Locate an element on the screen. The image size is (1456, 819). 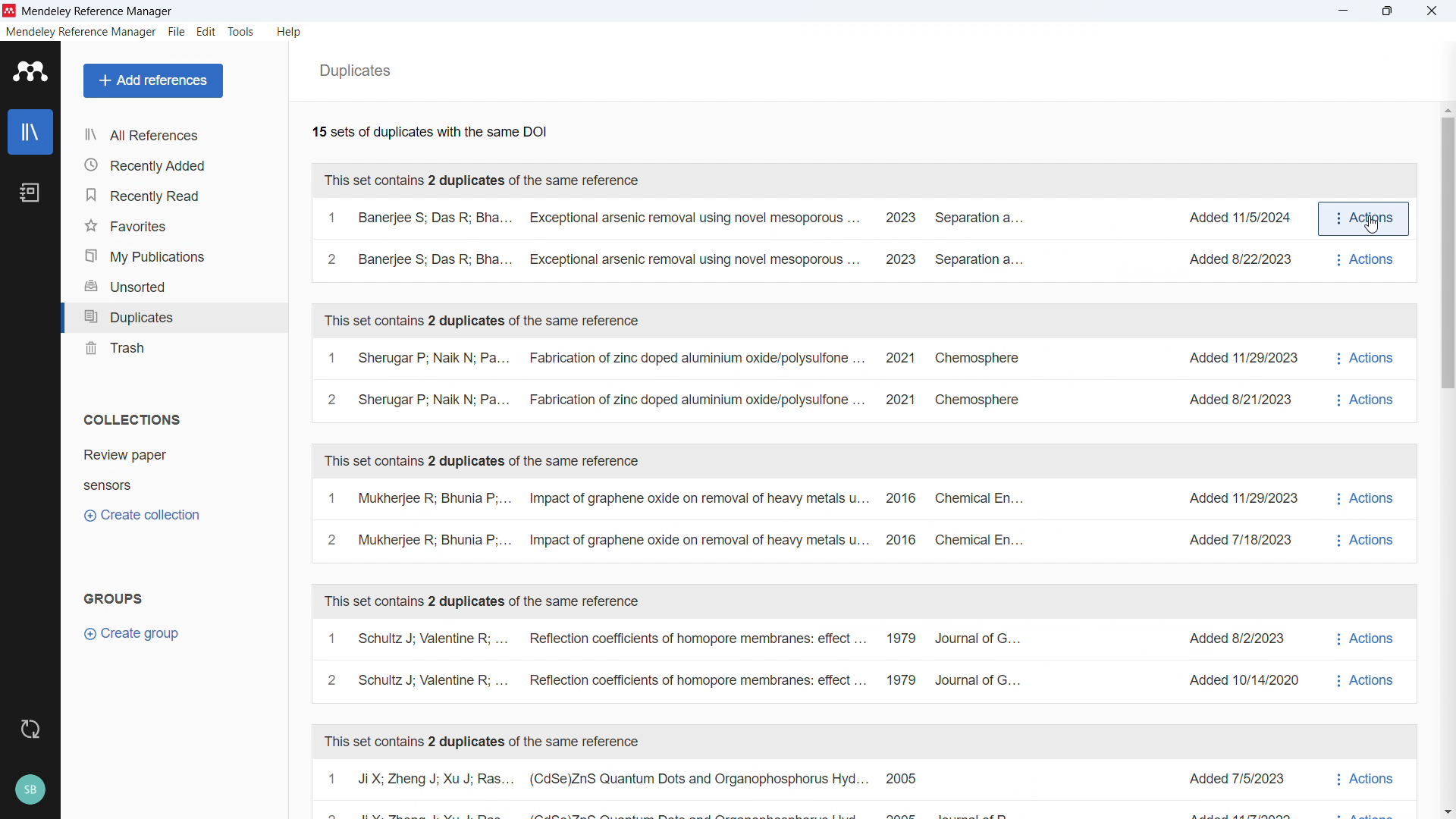
My publications  is located at coordinates (173, 256).